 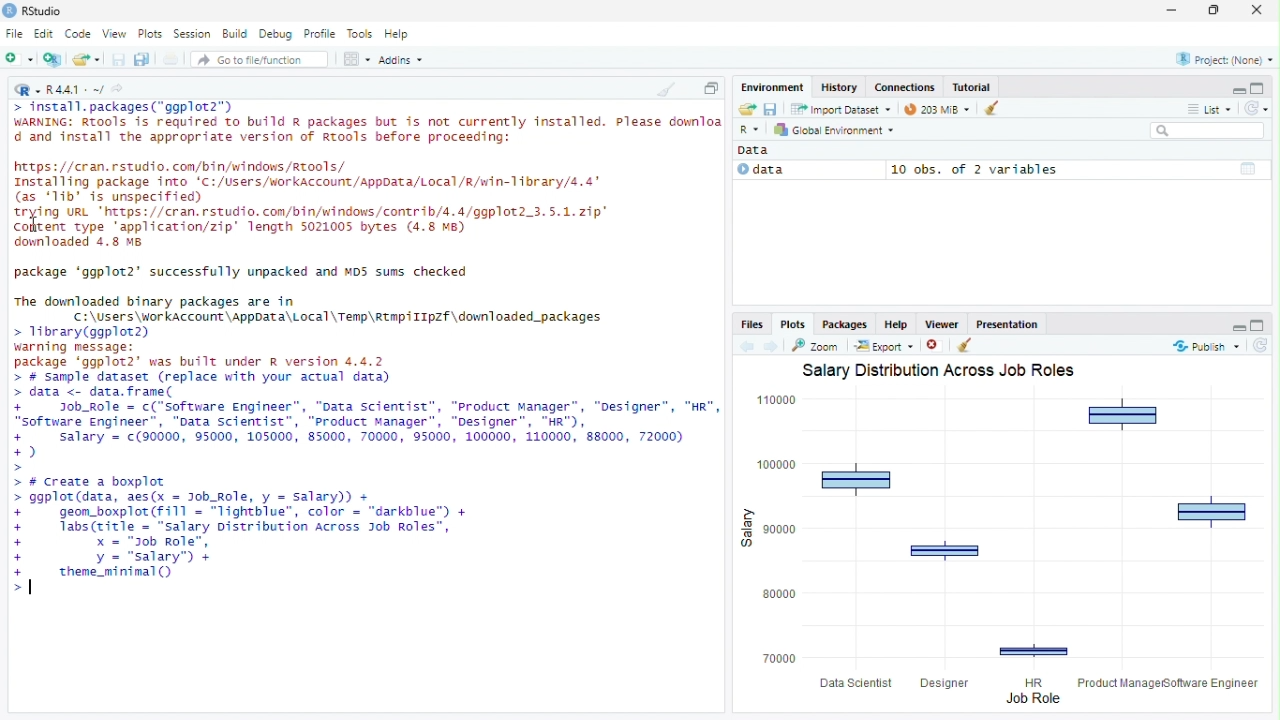 I want to click on Edit, so click(x=45, y=34).